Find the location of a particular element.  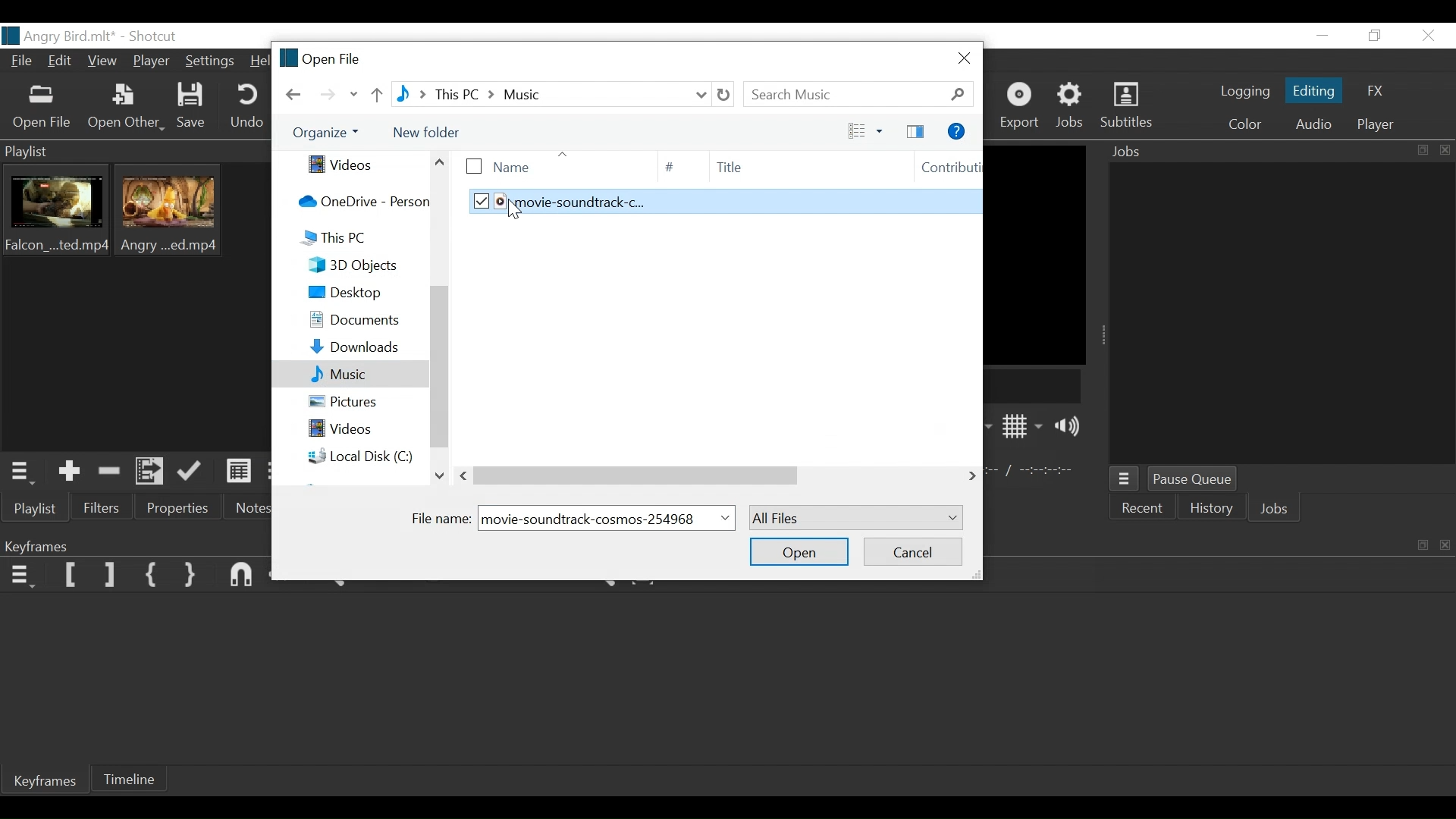

Settings is located at coordinates (212, 62).